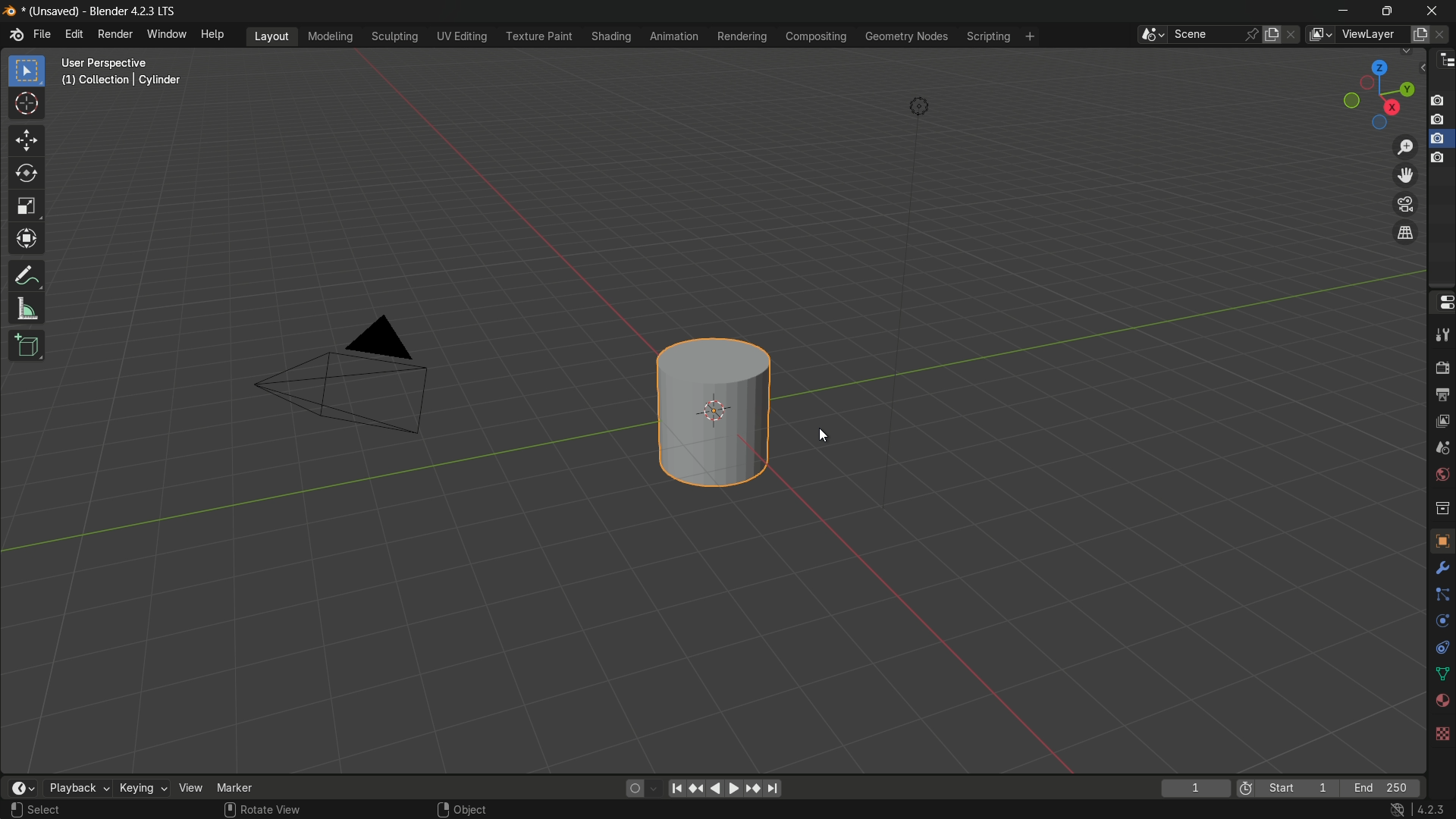  I want to click on auto keyframing, so click(654, 788).